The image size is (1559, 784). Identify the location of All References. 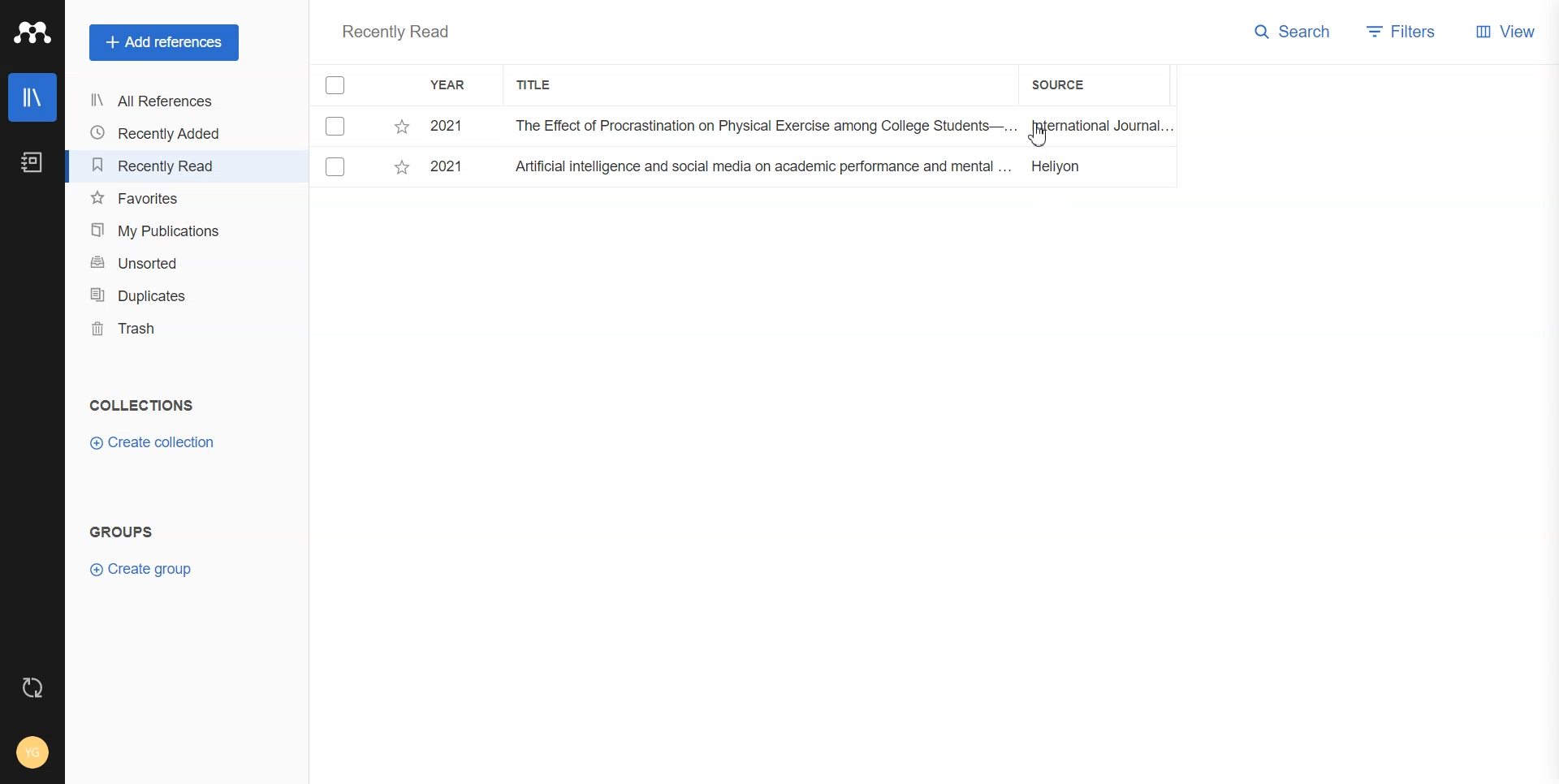
(158, 101).